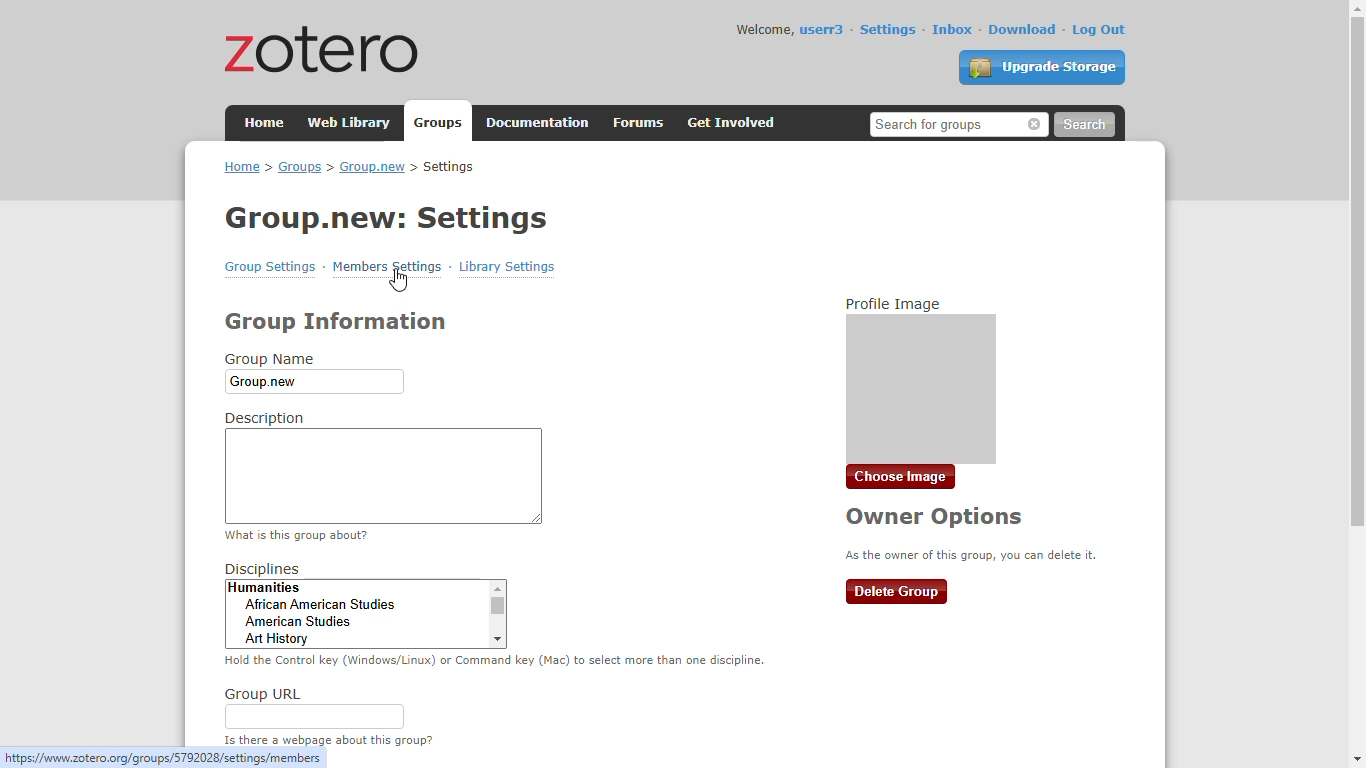 Image resolution: width=1366 pixels, height=768 pixels. I want to click on zotero, so click(323, 48).